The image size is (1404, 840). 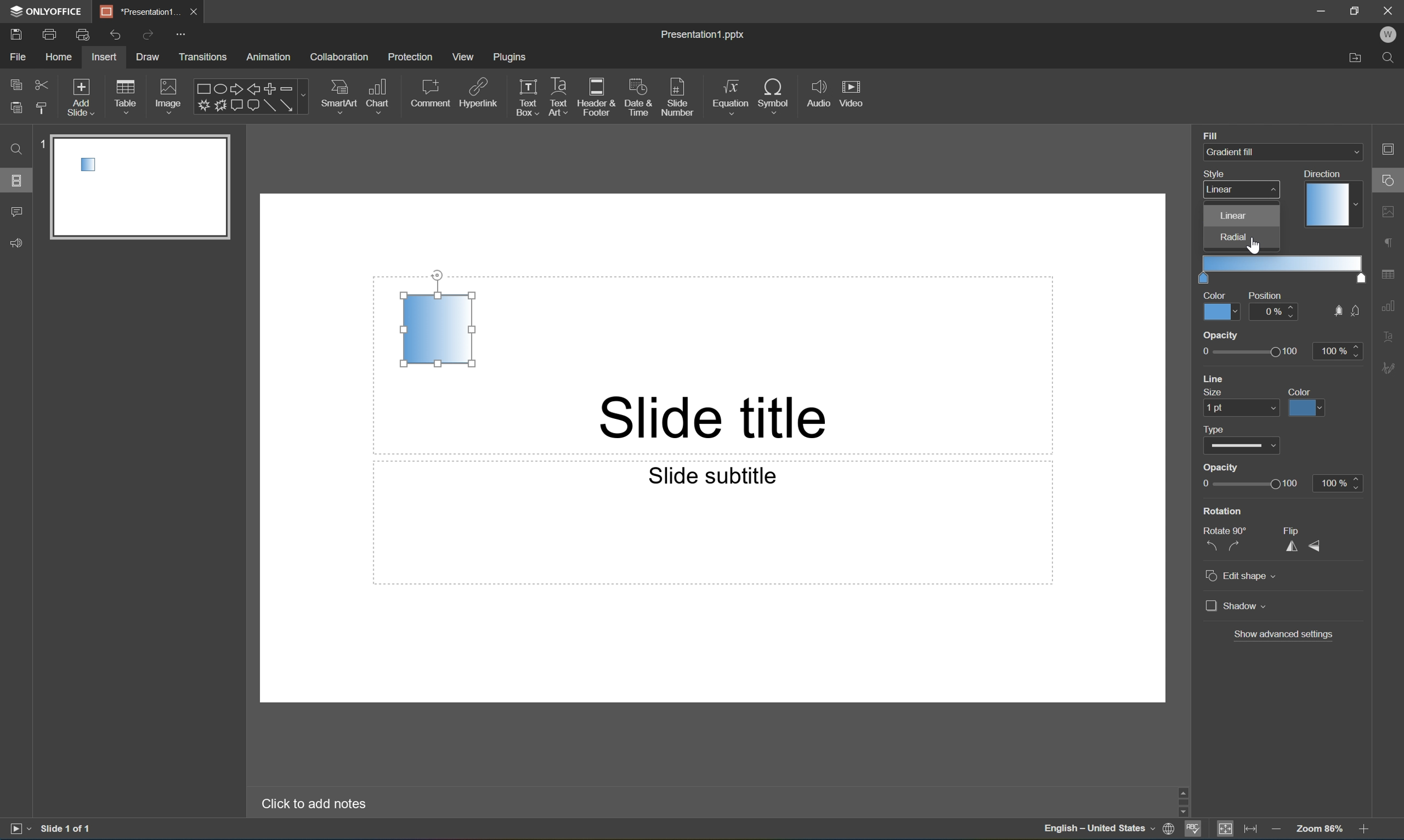 What do you see at coordinates (338, 94) in the screenshot?
I see `SmartArt` at bounding box center [338, 94].